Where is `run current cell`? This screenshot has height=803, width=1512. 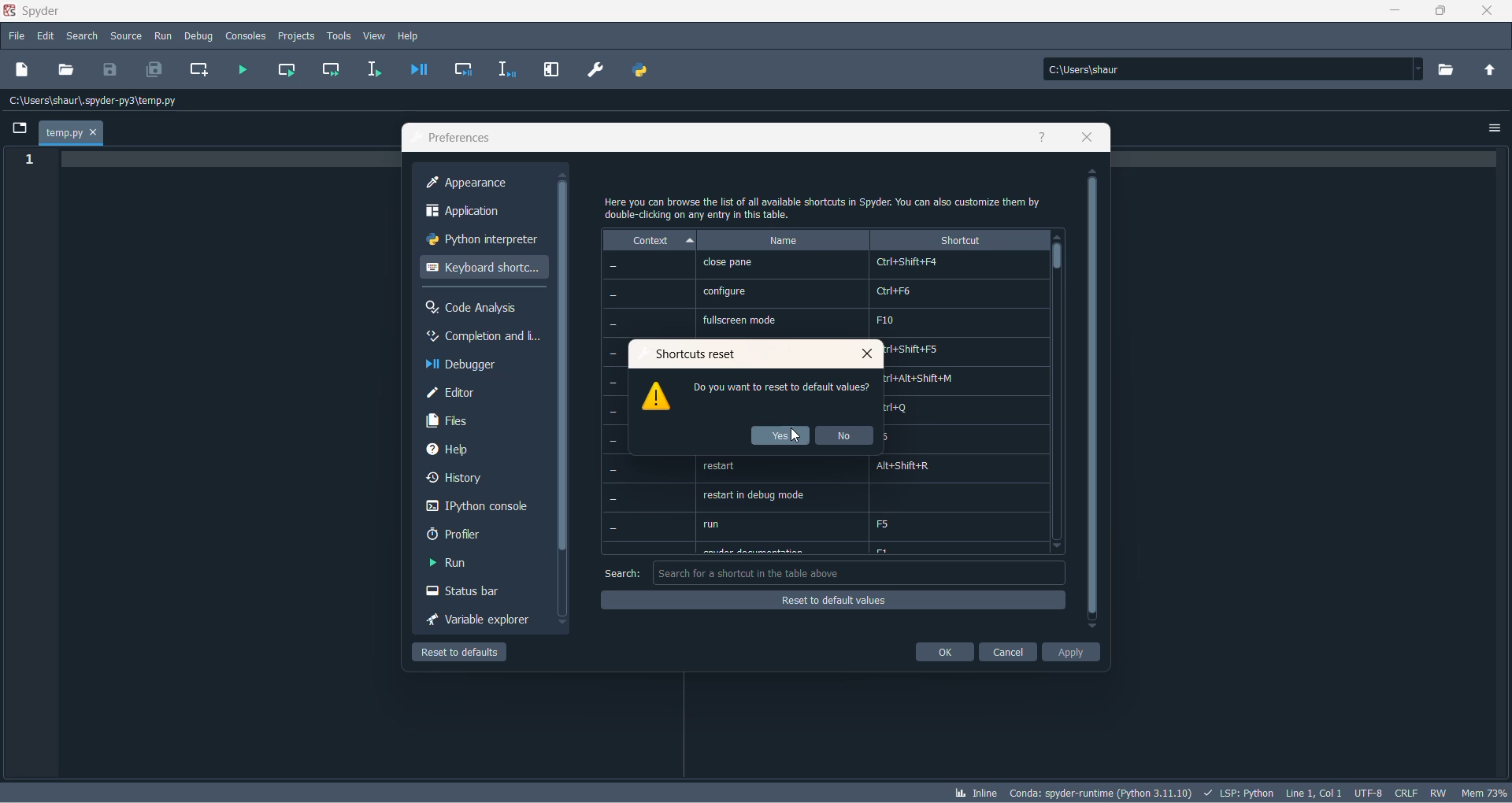 run current cell is located at coordinates (332, 69).